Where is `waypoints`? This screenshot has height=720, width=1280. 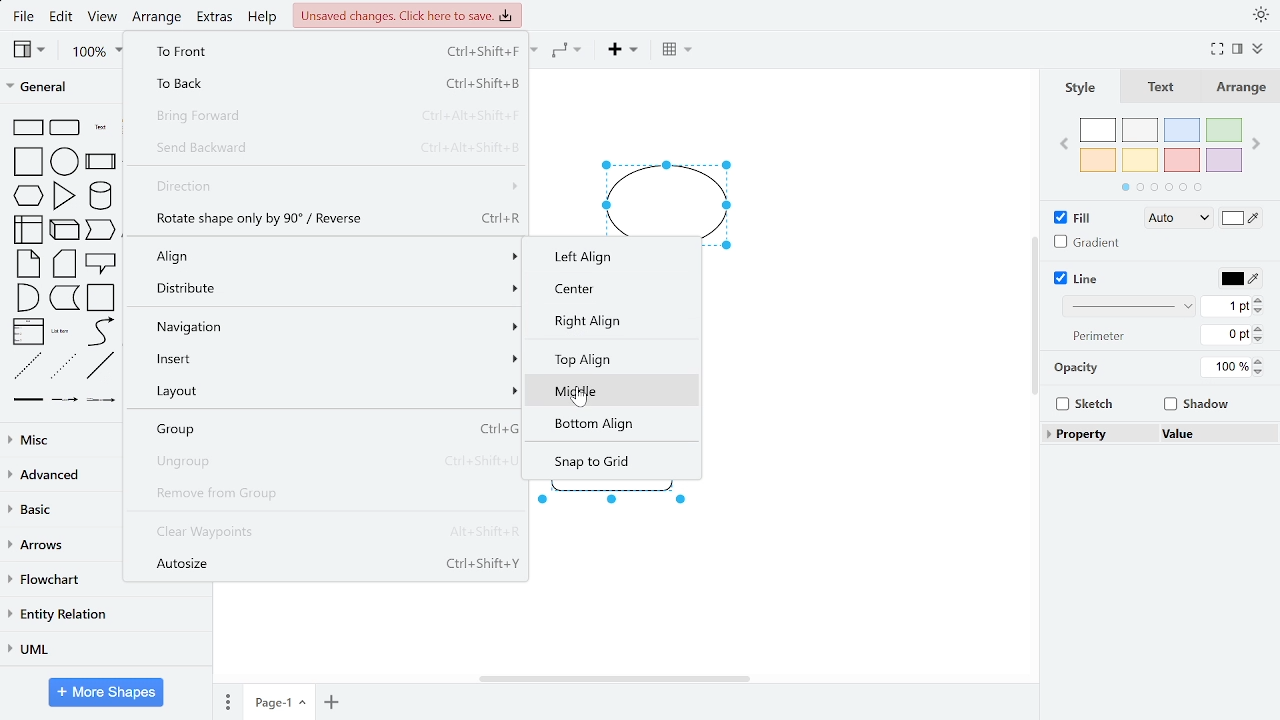 waypoints is located at coordinates (567, 52).